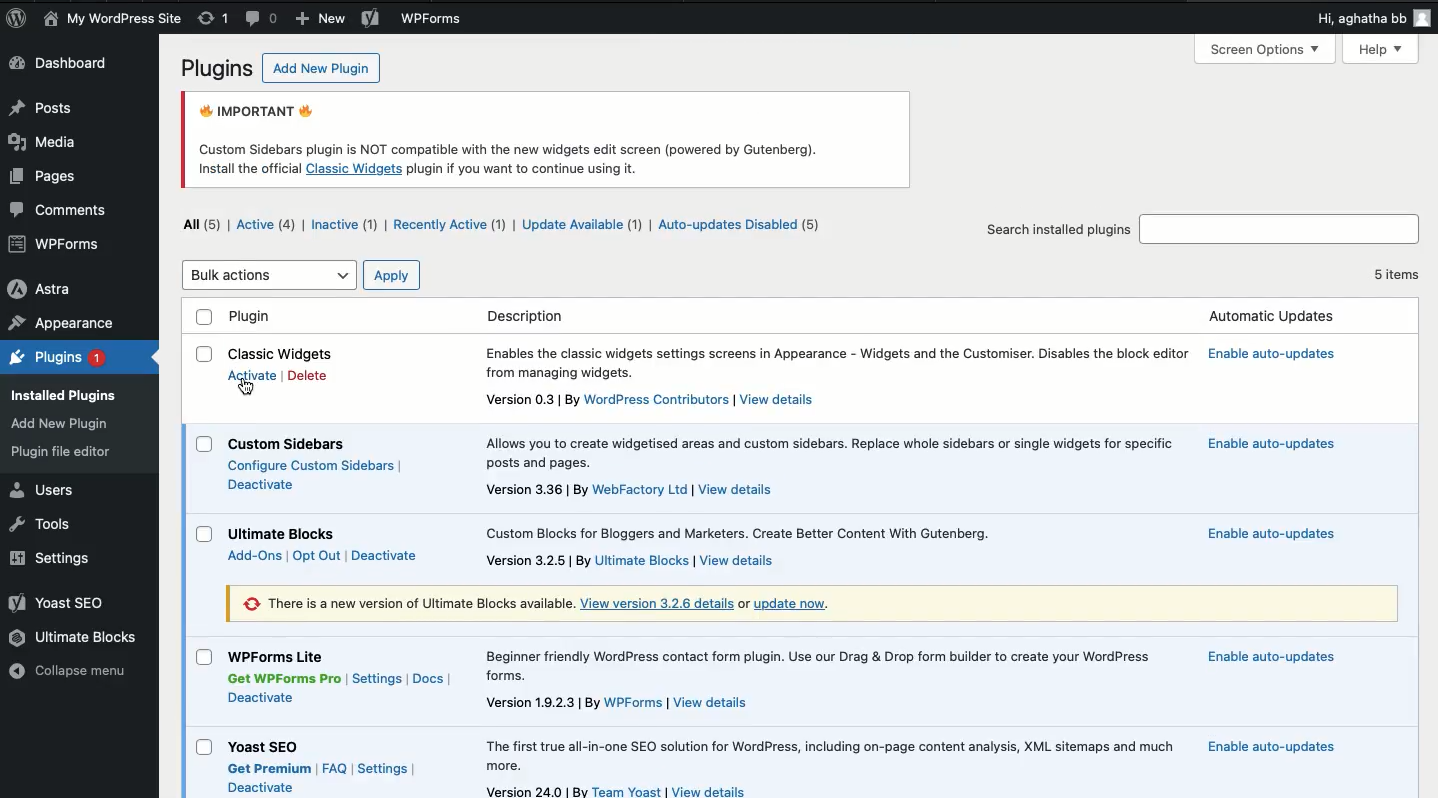  I want to click on All, so click(205, 223).